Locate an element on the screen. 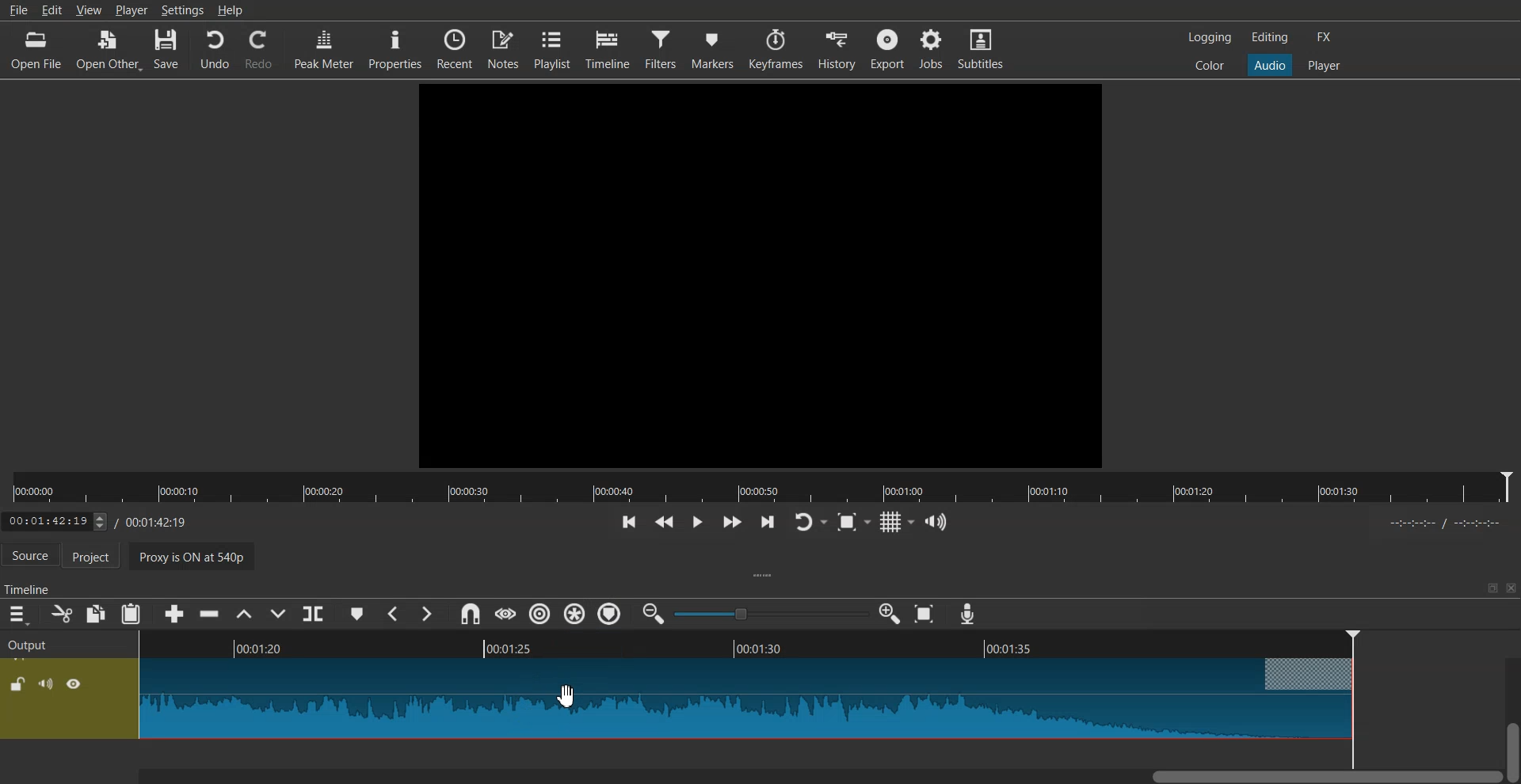 This screenshot has width=1521, height=784. Timeline is located at coordinates (612, 48).